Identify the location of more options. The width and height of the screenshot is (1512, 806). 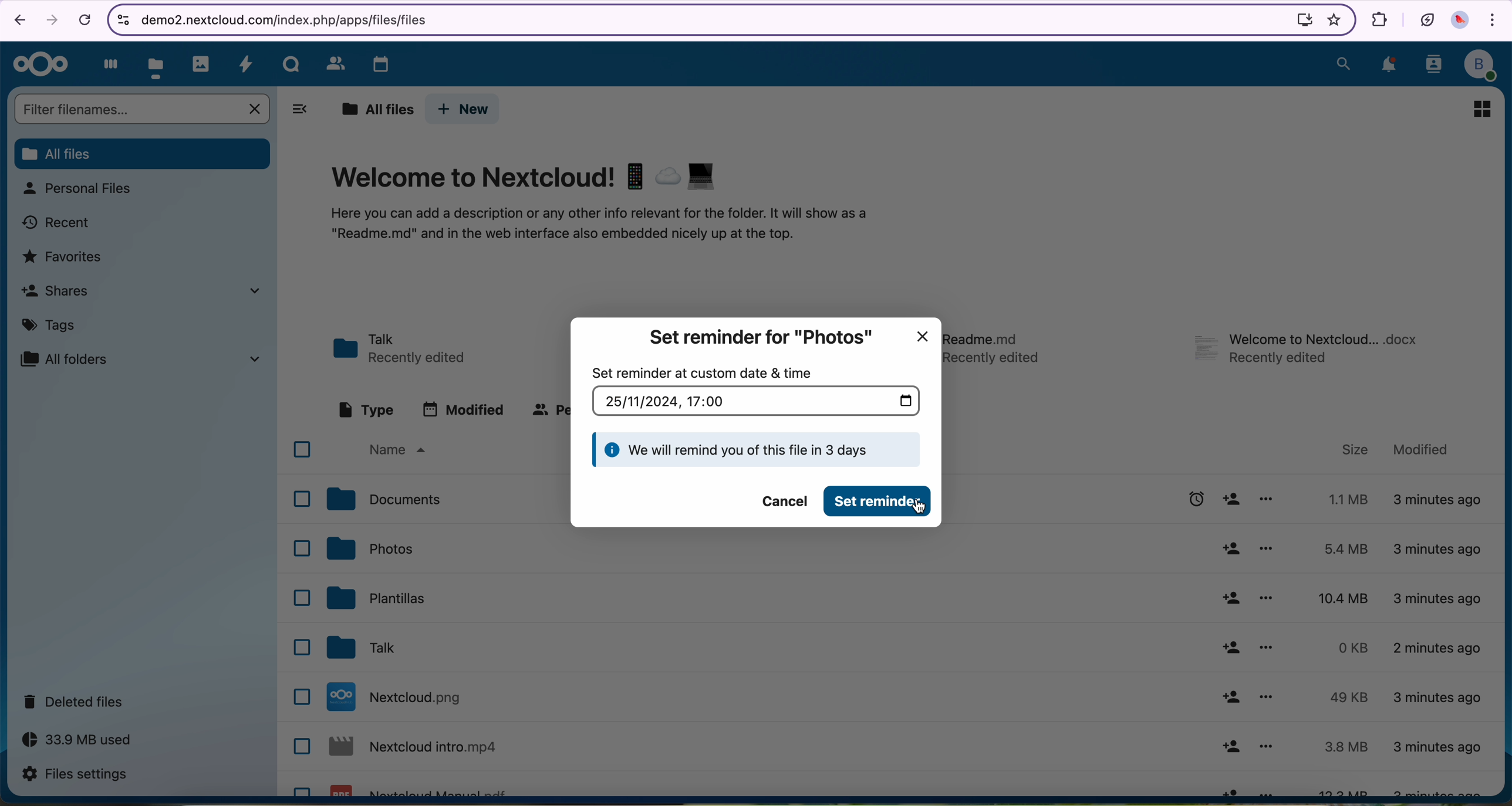
(1265, 648).